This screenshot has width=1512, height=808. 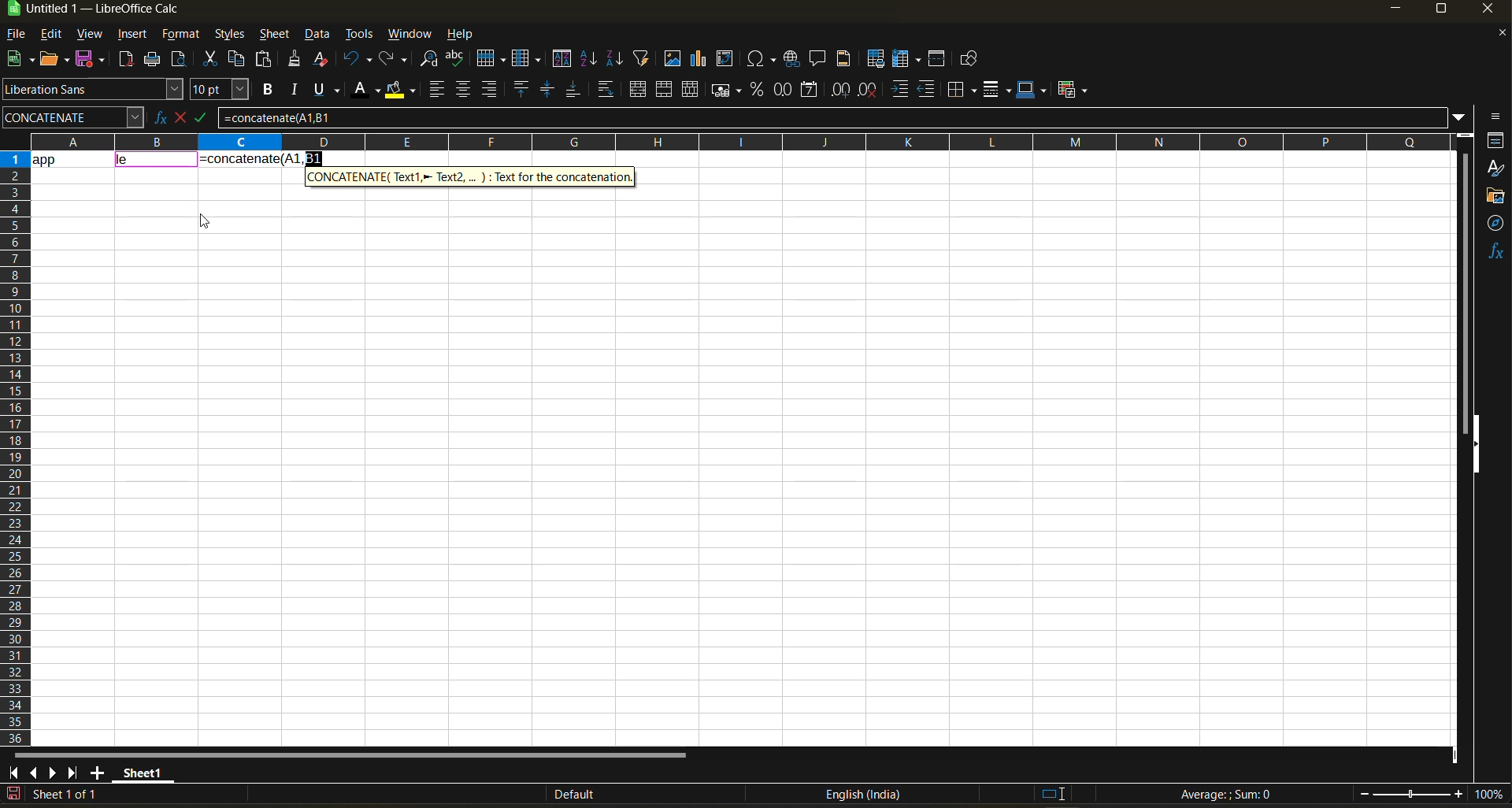 What do you see at coordinates (13, 795) in the screenshot?
I see `click to save` at bounding box center [13, 795].